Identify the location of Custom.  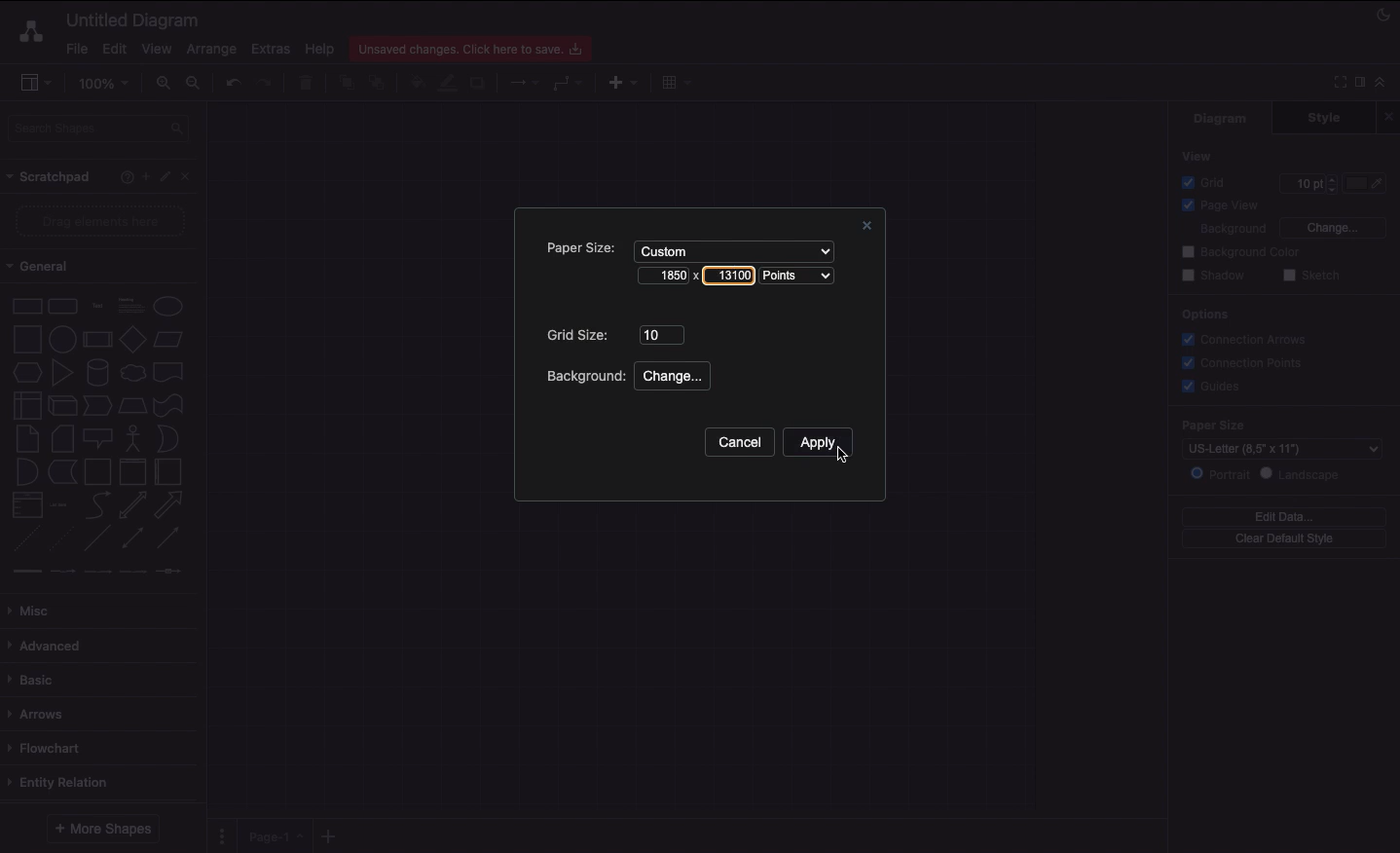
(731, 249).